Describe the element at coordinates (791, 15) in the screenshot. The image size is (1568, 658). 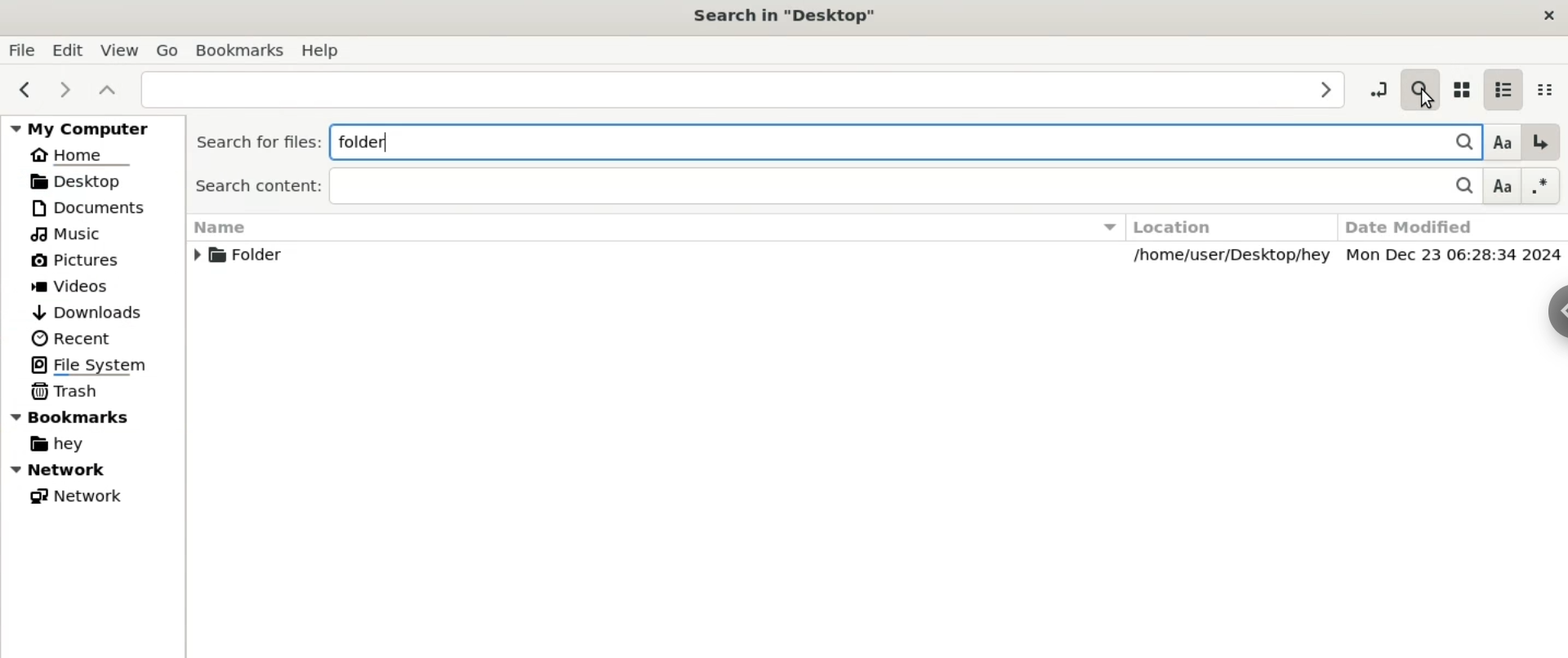
I see `Search in "Desktop"` at that location.